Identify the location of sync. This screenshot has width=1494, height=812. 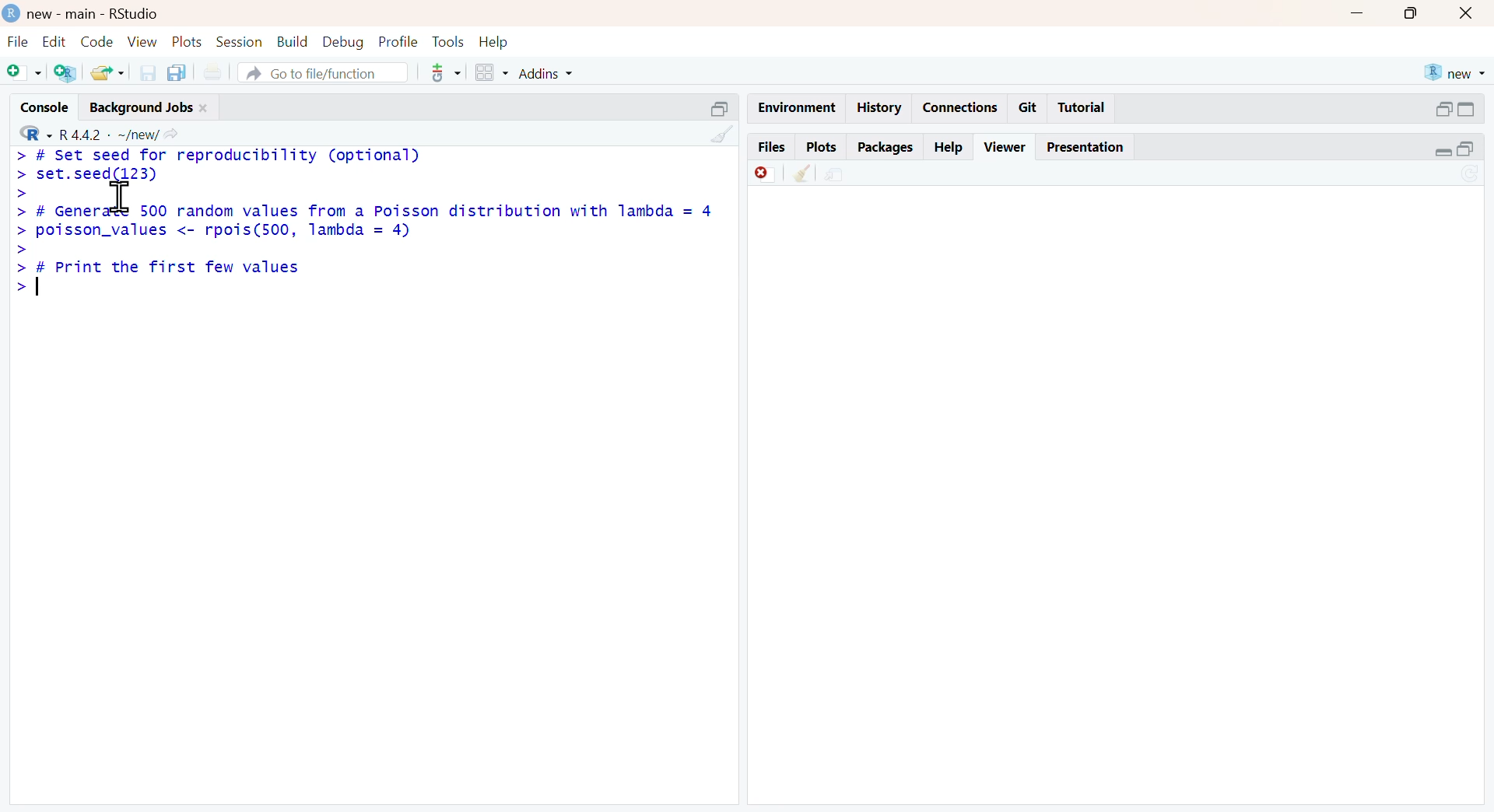
(1470, 173).